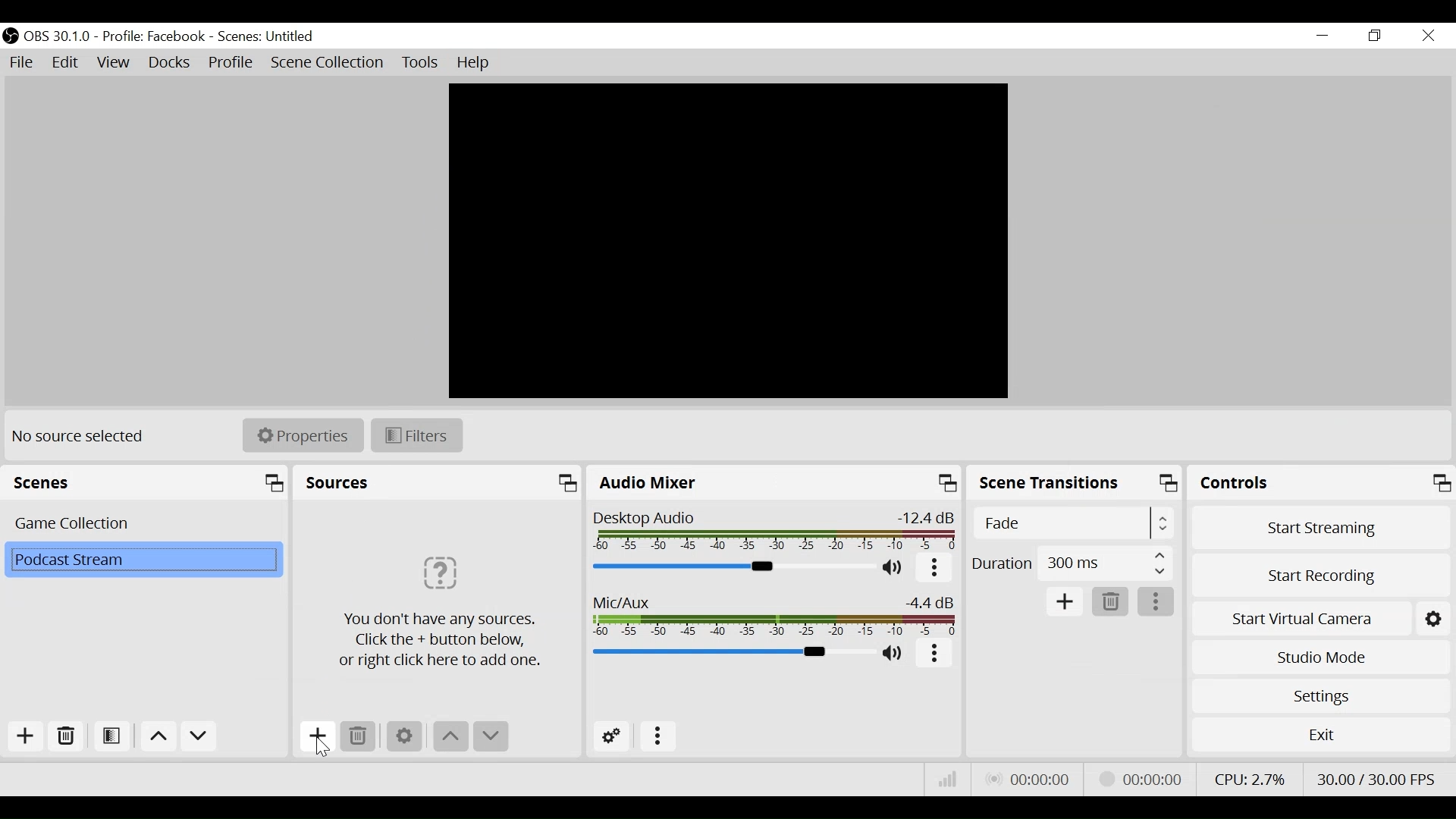  I want to click on Restore, so click(1376, 36).